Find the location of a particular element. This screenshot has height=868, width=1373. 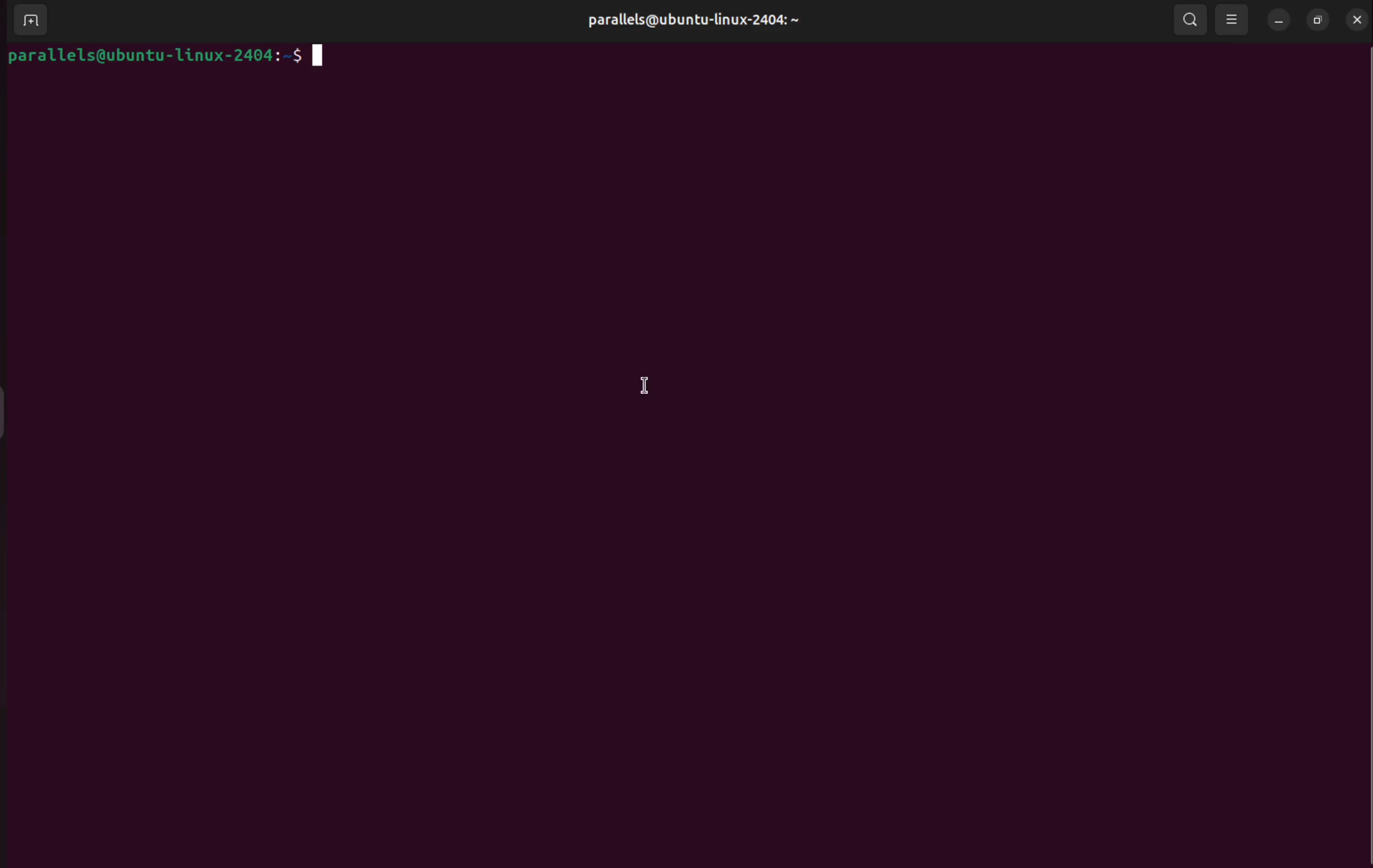

cursor is located at coordinates (647, 384).